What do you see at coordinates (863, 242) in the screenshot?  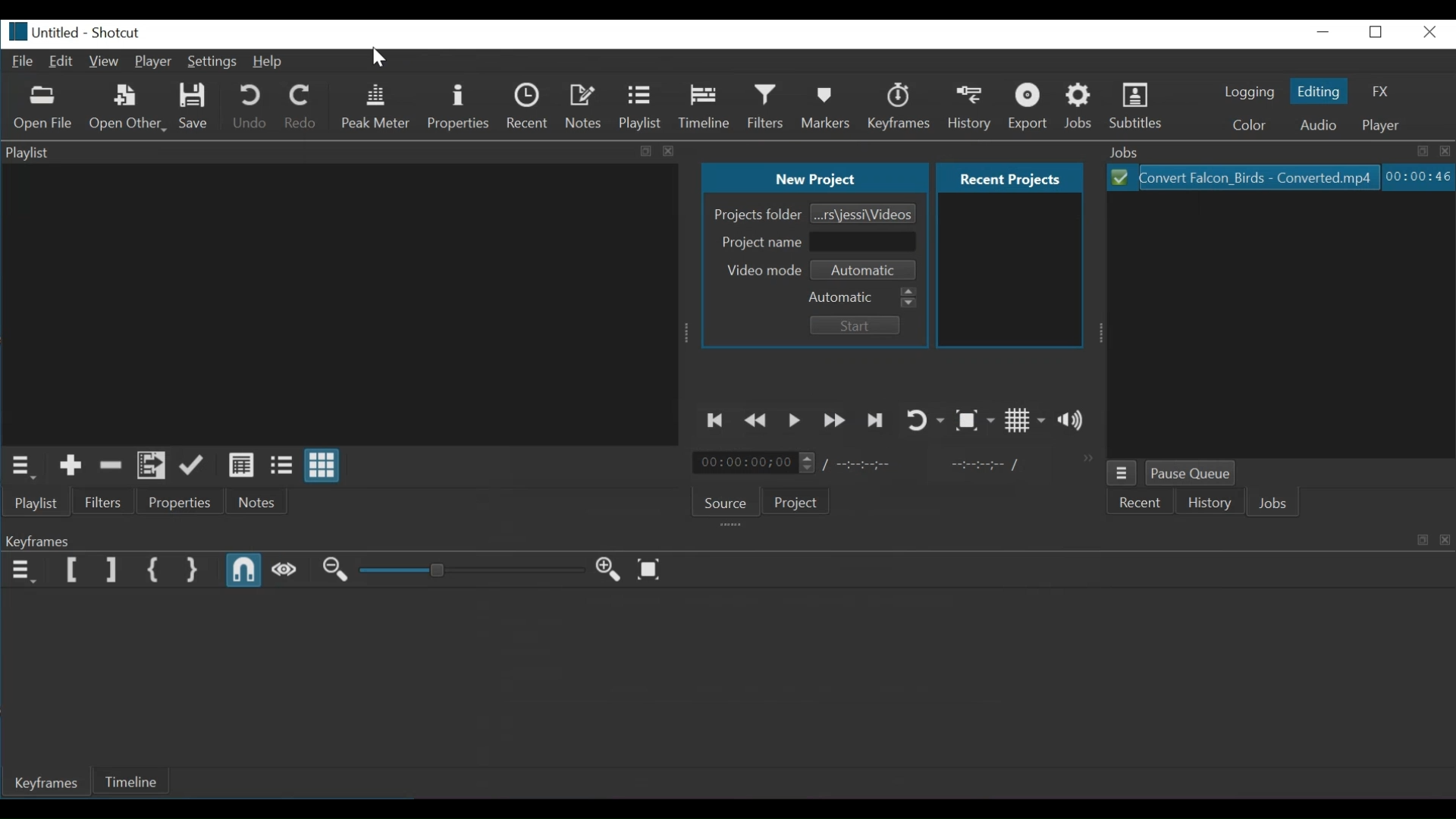 I see `Project Name Field` at bounding box center [863, 242].